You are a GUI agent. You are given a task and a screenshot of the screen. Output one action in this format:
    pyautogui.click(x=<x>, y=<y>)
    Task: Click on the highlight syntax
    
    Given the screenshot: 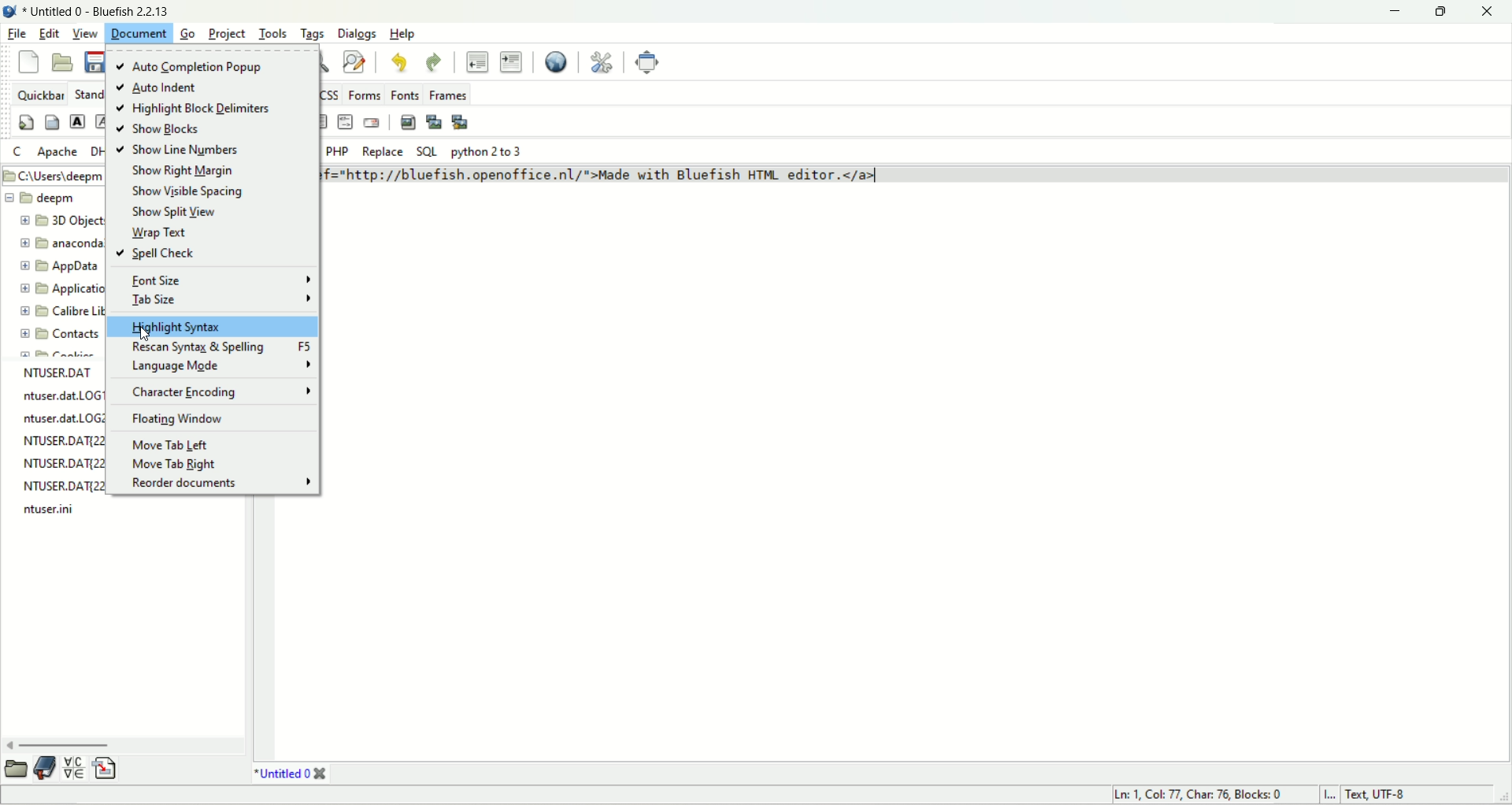 What is the action you would take?
    pyautogui.click(x=213, y=328)
    